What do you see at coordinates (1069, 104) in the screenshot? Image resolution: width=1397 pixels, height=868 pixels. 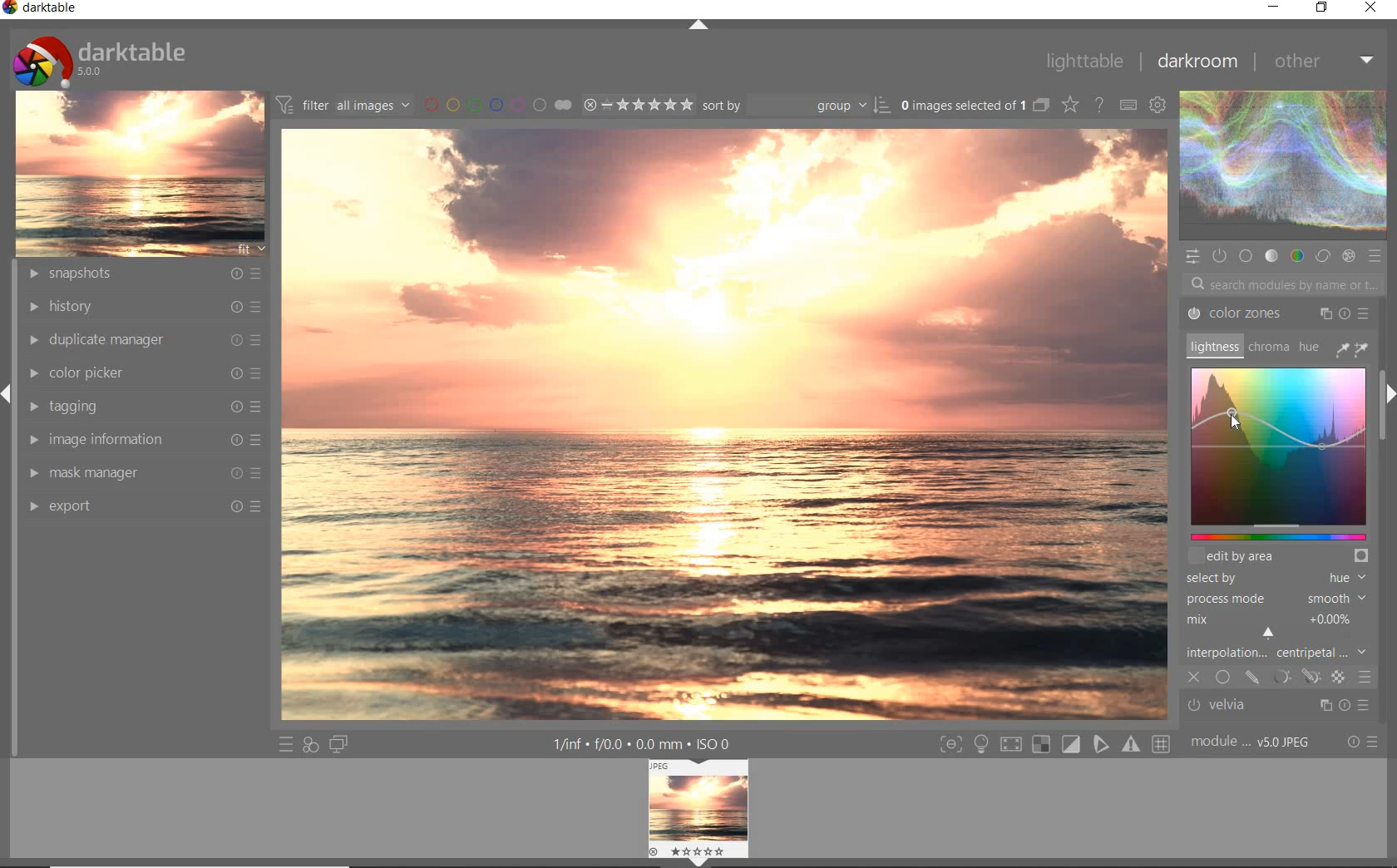 I see `CHANGE TYPE FOR OVER RELAY` at bounding box center [1069, 104].